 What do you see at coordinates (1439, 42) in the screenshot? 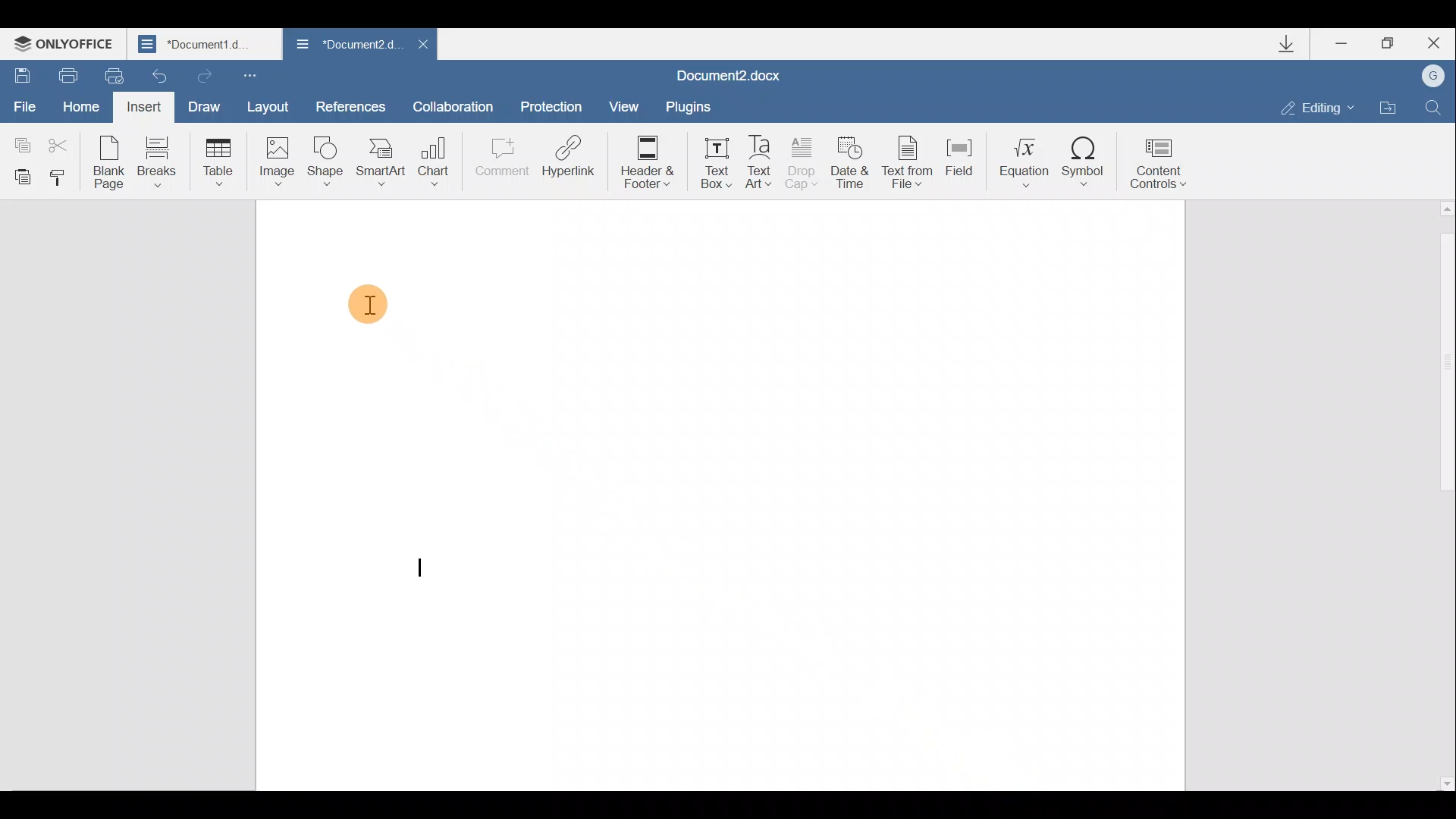
I see `Close` at bounding box center [1439, 42].